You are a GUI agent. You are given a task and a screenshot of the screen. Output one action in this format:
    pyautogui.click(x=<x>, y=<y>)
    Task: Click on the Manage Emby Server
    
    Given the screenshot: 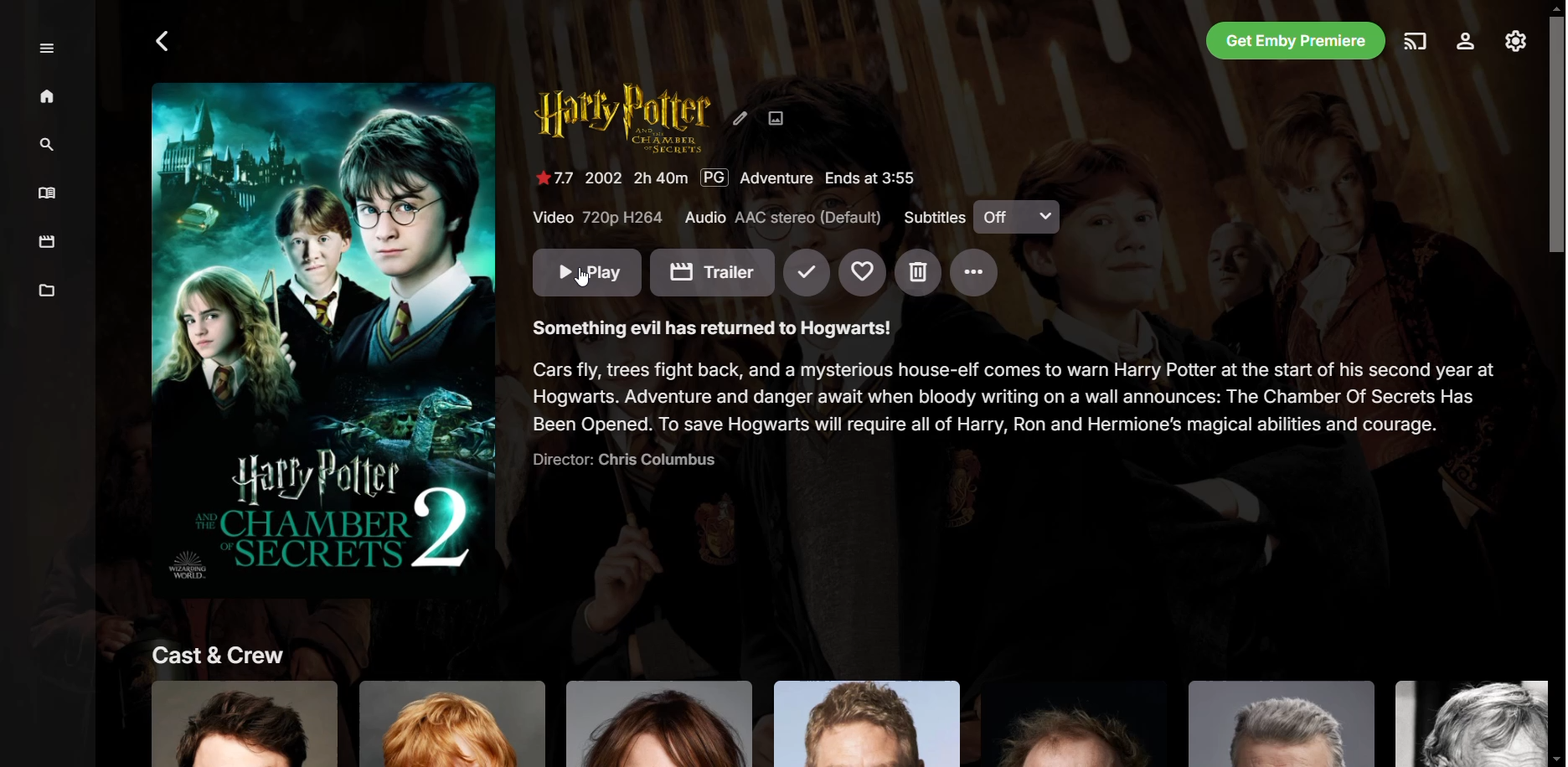 What is the action you would take?
    pyautogui.click(x=1516, y=42)
    